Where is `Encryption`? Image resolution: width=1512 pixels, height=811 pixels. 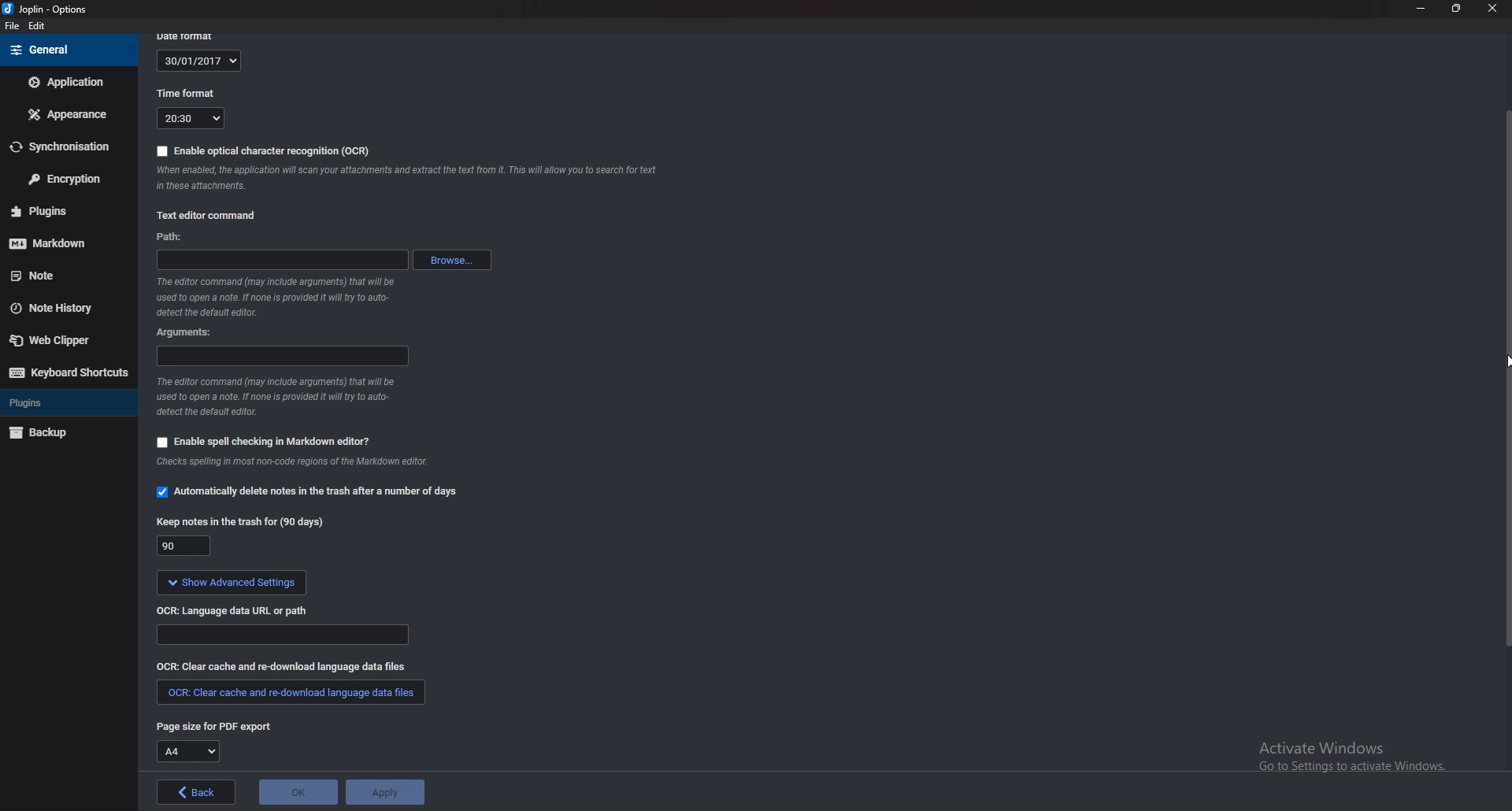 Encryption is located at coordinates (61, 180).